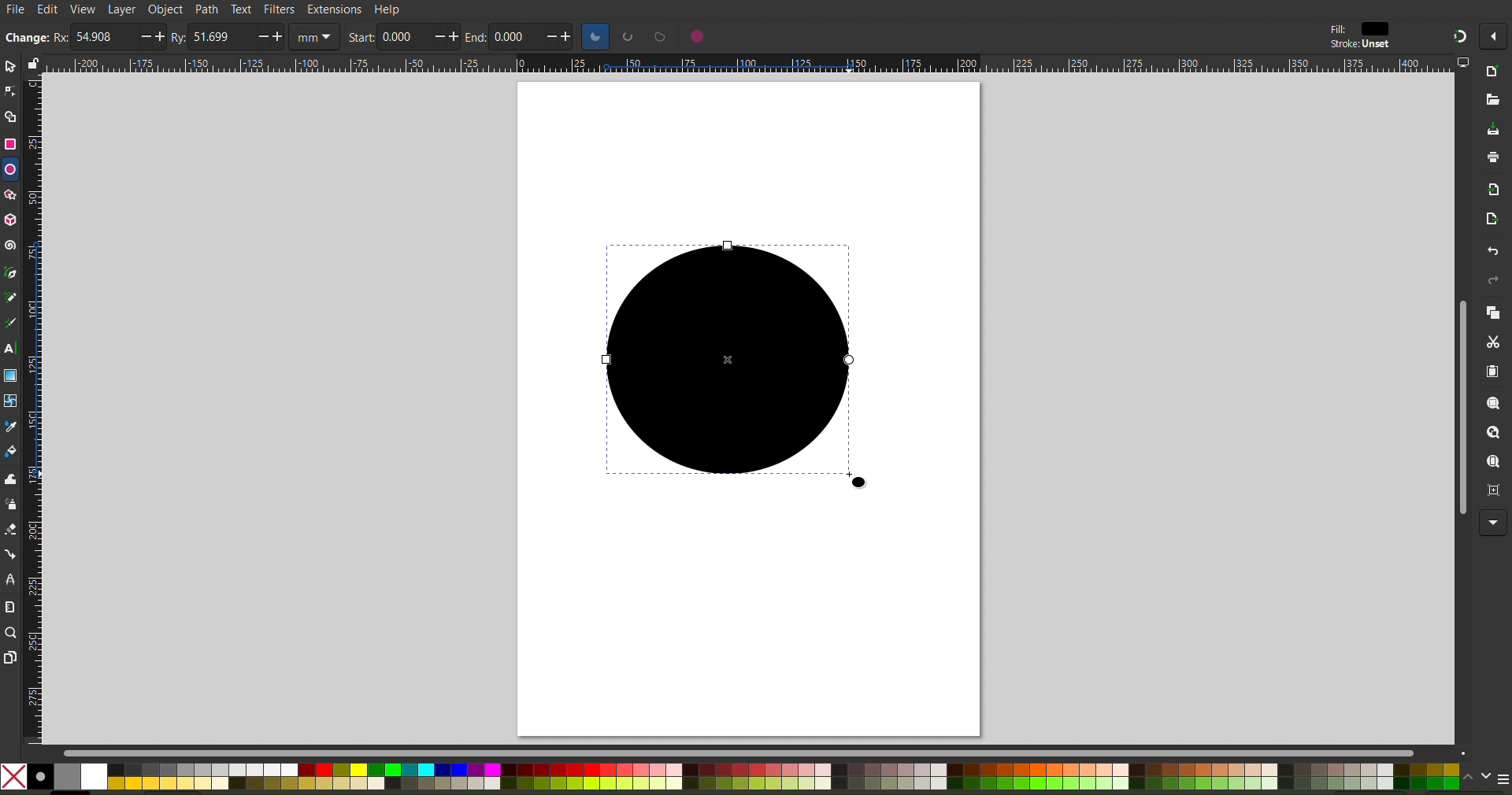  Describe the element at coordinates (1492, 404) in the screenshot. I see `Zoom Selection` at that location.